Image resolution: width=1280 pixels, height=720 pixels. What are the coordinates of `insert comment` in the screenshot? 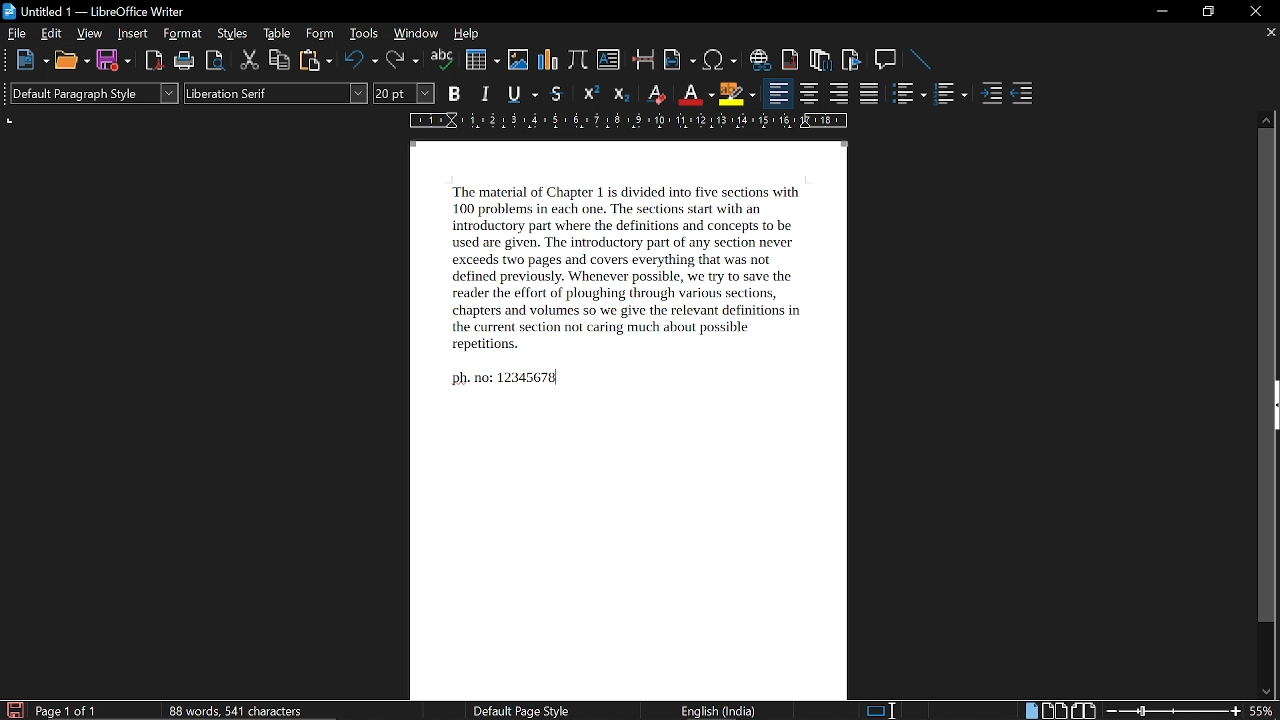 It's located at (885, 59).